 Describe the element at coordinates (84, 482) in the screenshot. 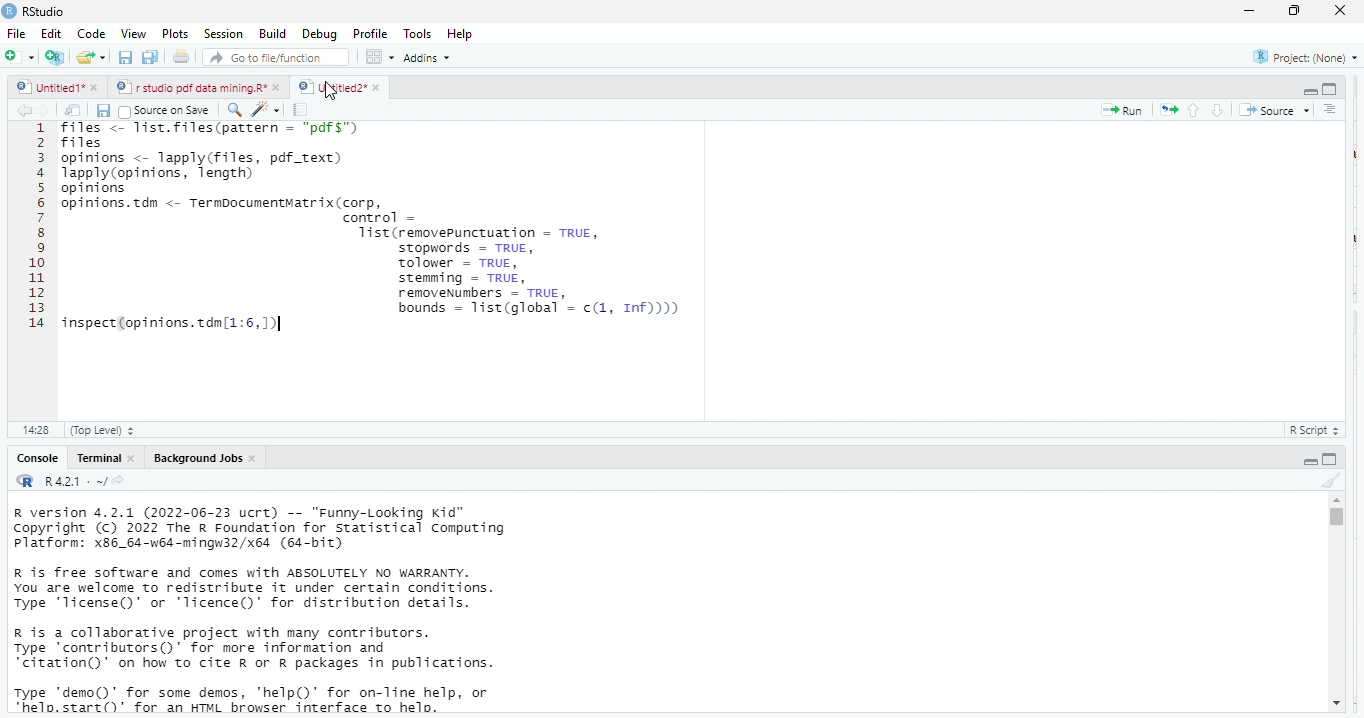

I see `R421: ~/` at that location.